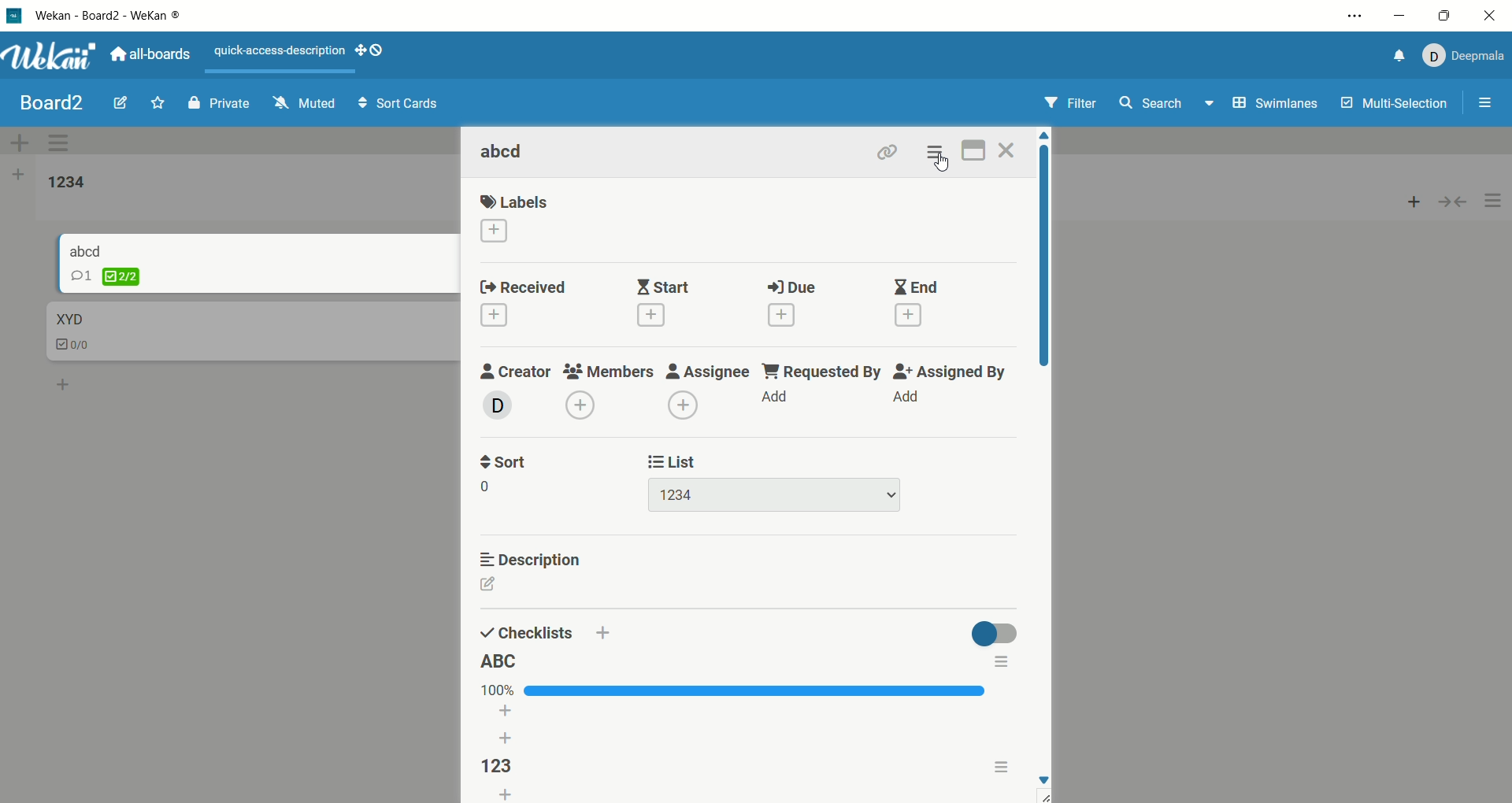  I want to click on swimlanes, so click(1274, 105).